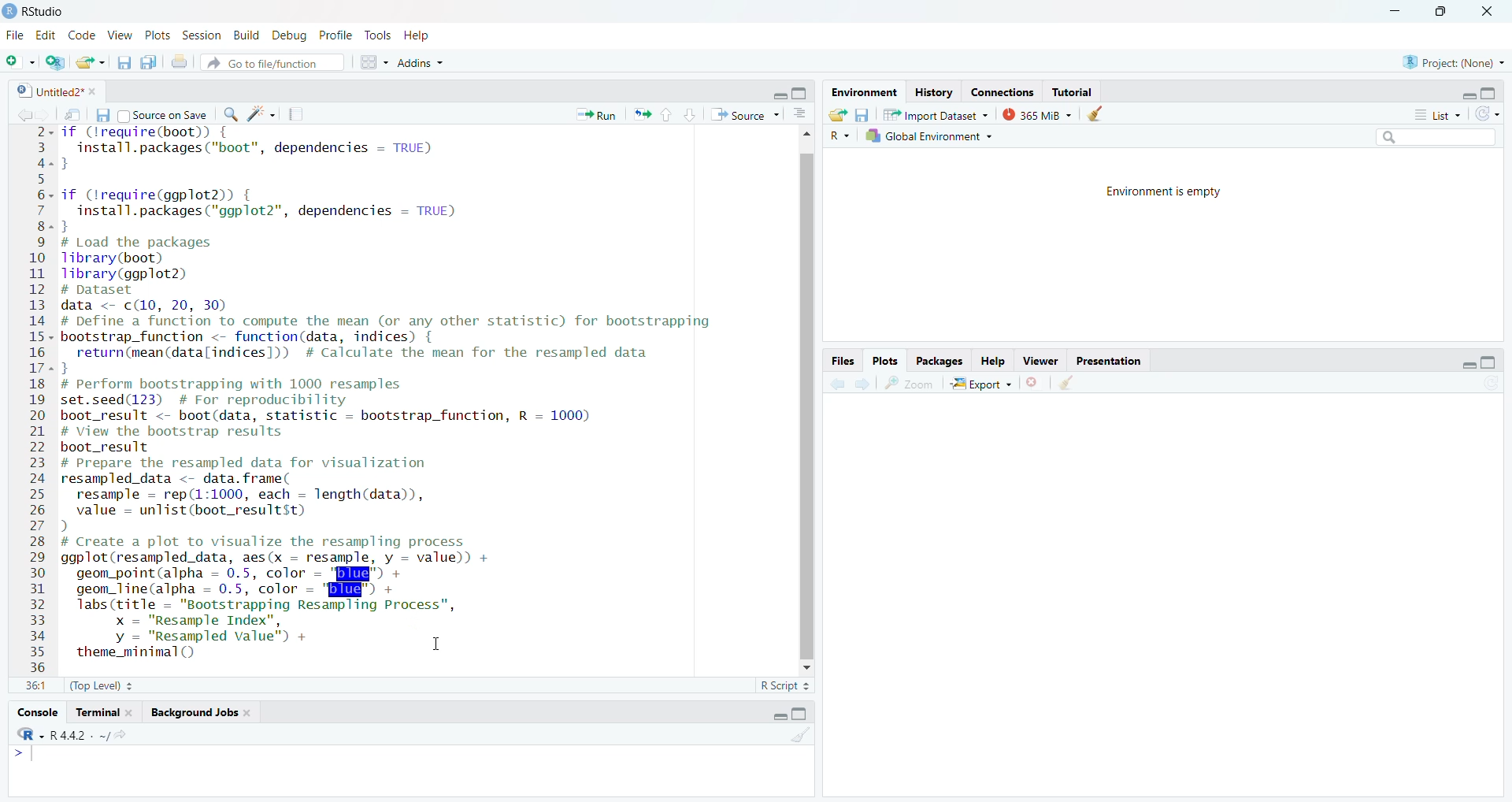 The width and height of the screenshot is (1512, 802). I want to click on Tutorial, so click(1077, 94).